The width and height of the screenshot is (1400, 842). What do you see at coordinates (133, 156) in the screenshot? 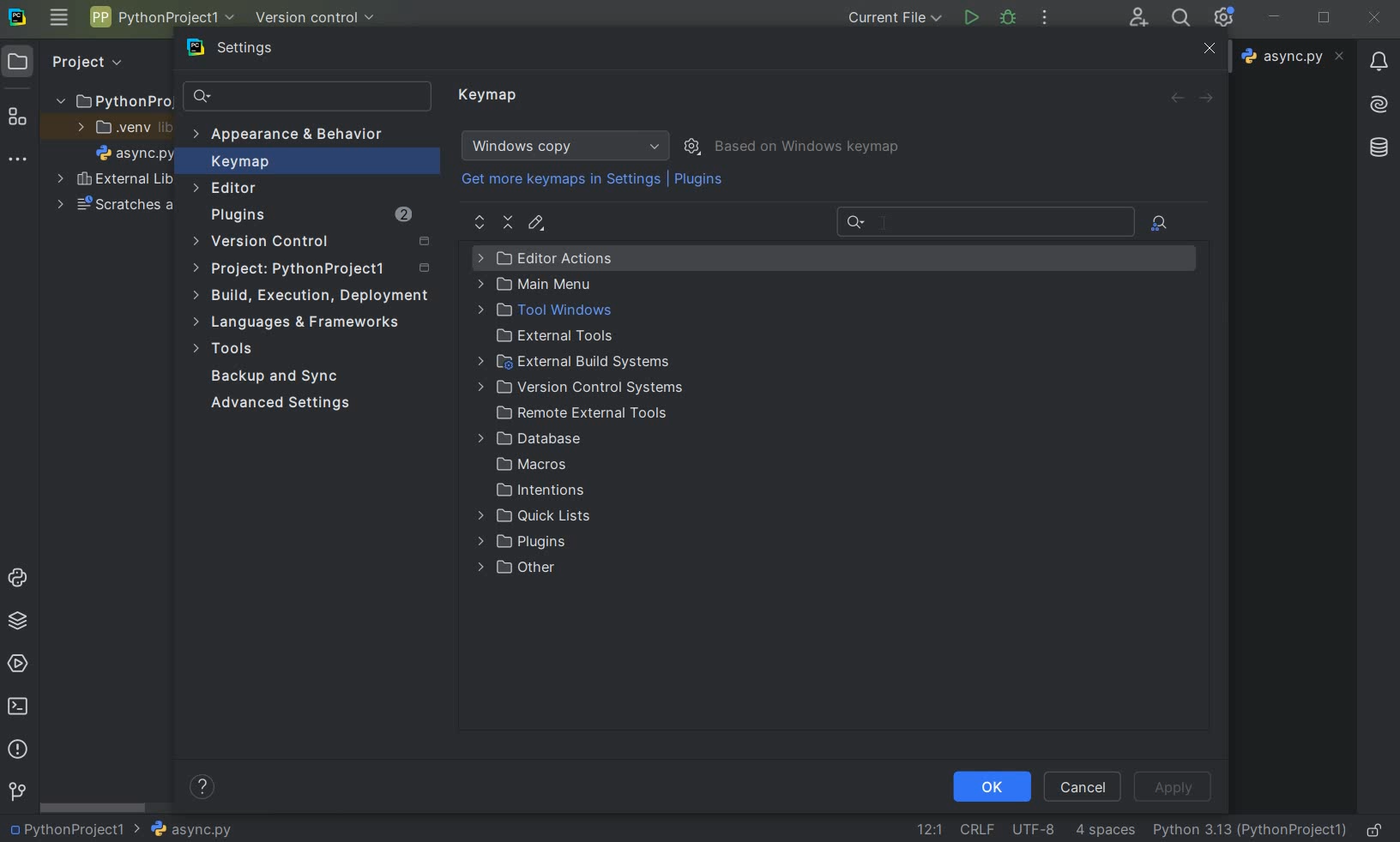
I see `file name` at bounding box center [133, 156].